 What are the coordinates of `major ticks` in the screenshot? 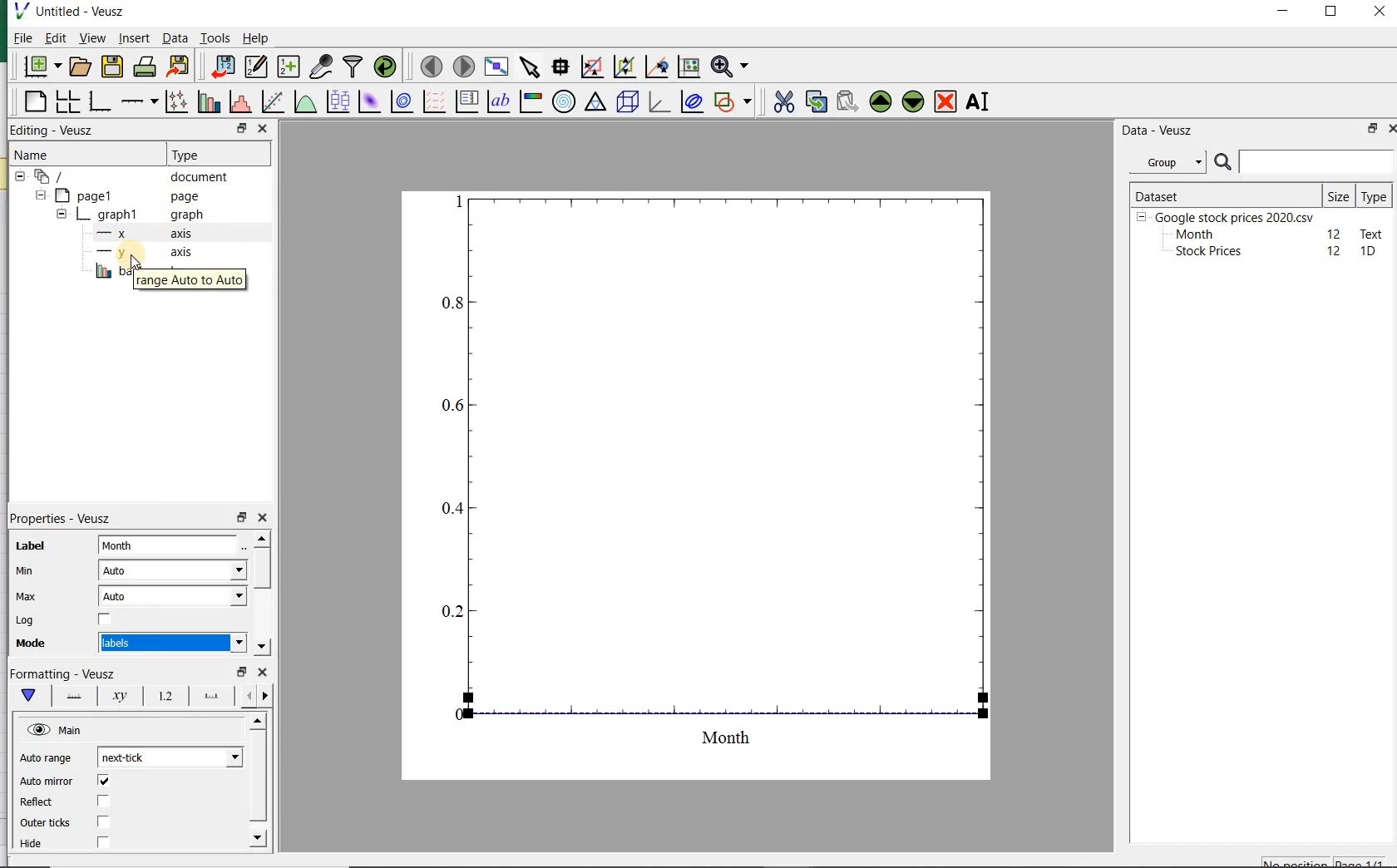 It's located at (209, 698).